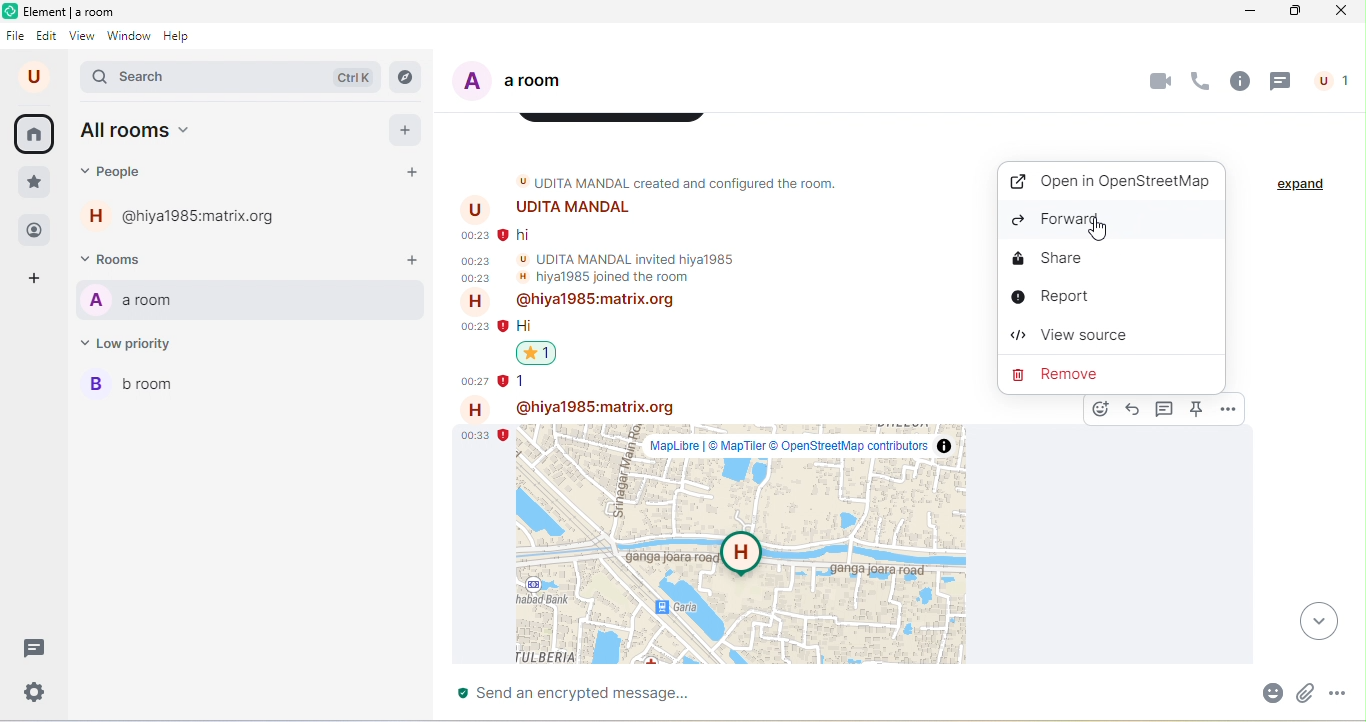 This screenshot has height=722, width=1366. What do you see at coordinates (1318, 623) in the screenshot?
I see `drop down` at bounding box center [1318, 623].